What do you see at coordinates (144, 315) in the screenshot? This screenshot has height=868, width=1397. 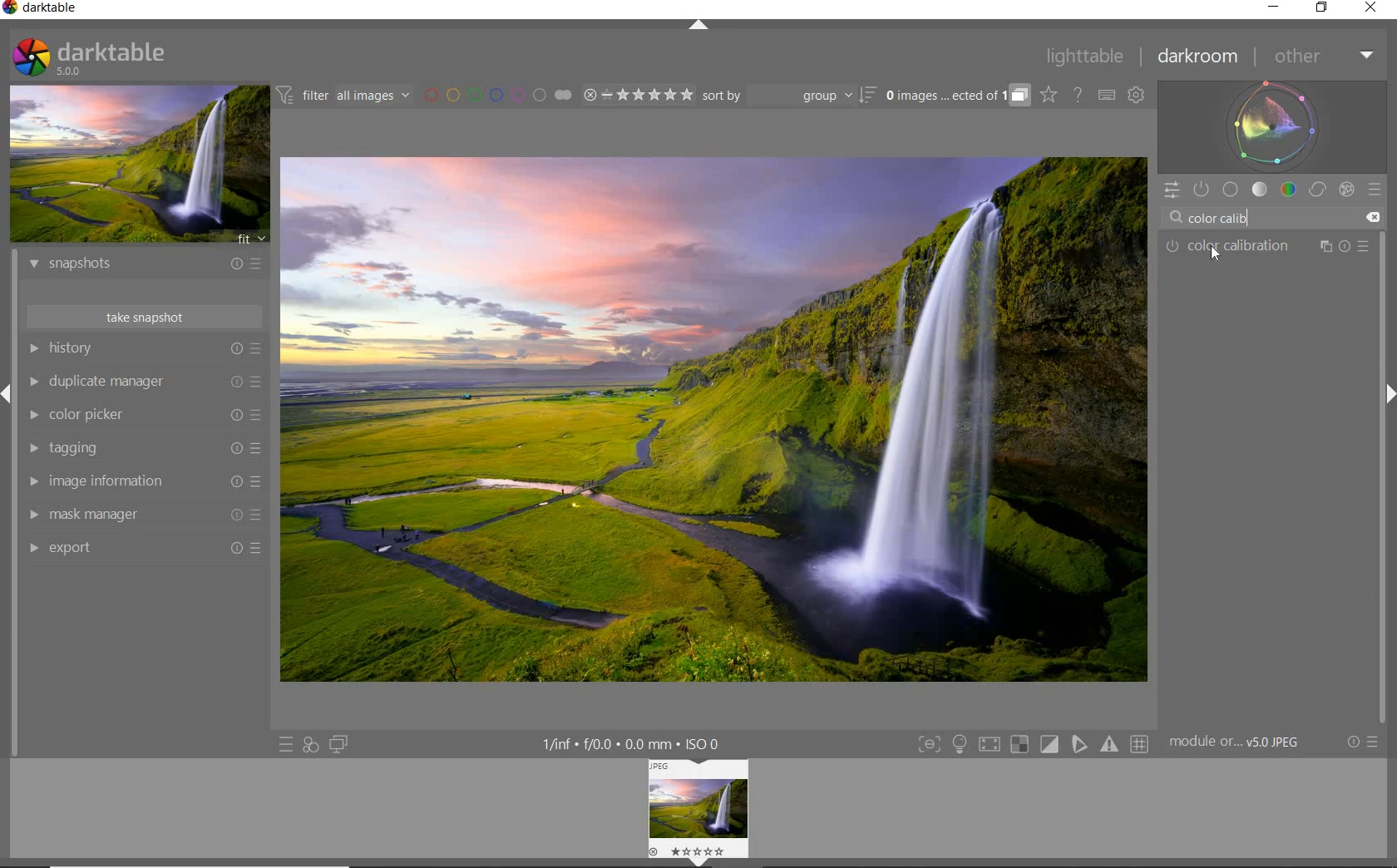 I see `take snapshot` at bounding box center [144, 315].